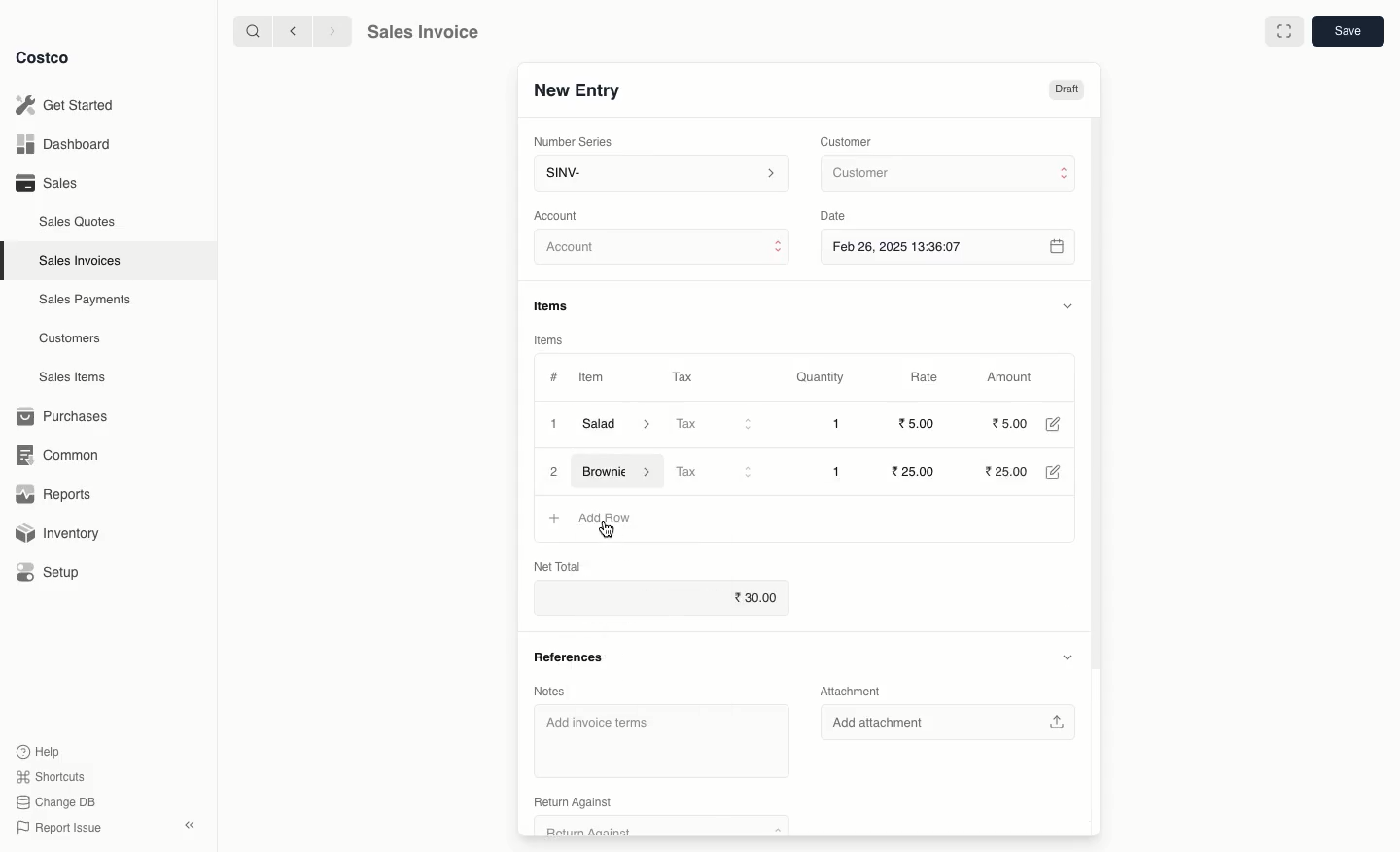 Image resolution: width=1400 pixels, height=852 pixels. Describe the element at coordinates (682, 373) in the screenshot. I see `Tax` at that location.